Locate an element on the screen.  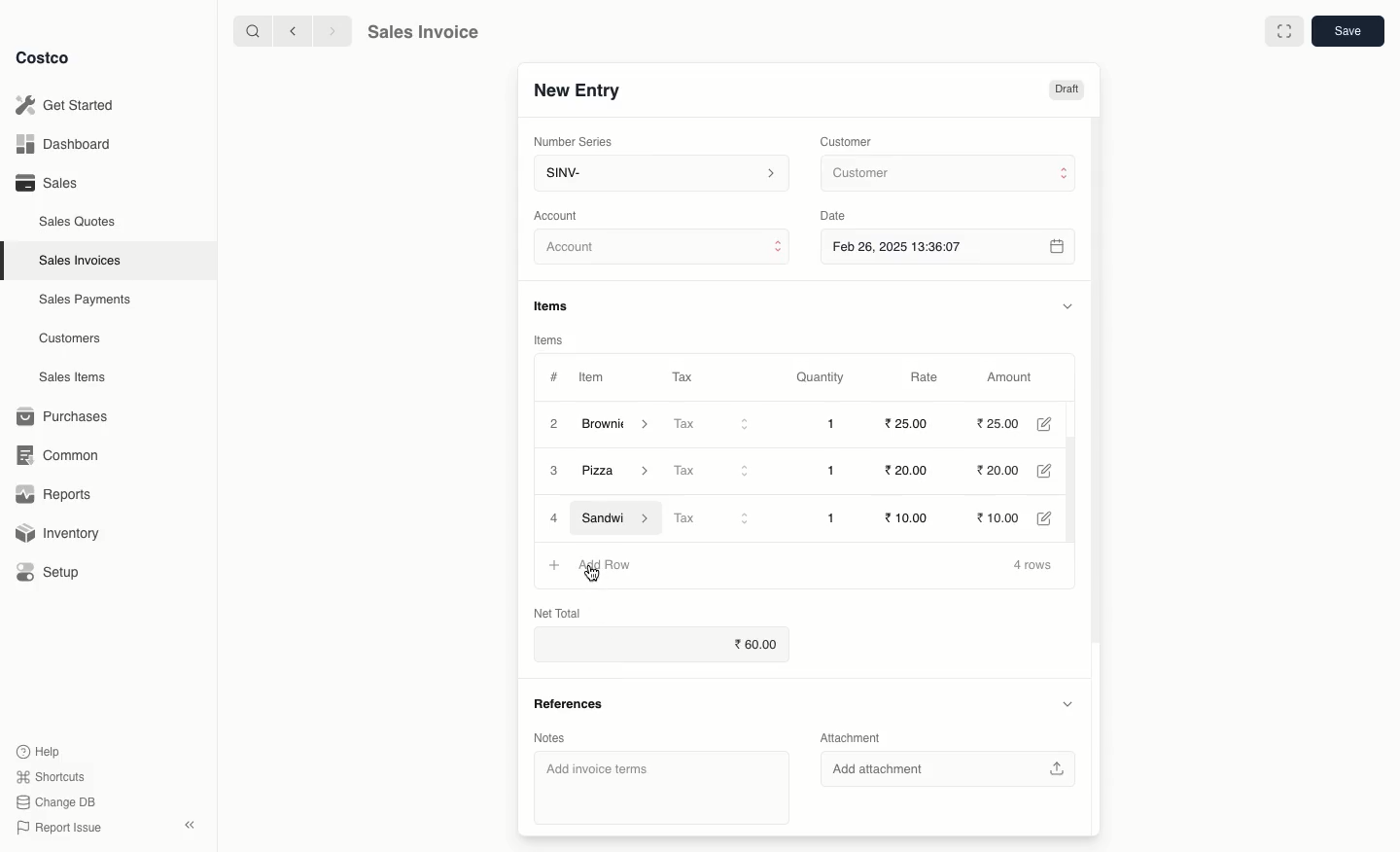
‘Account is located at coordinates (560, 215).